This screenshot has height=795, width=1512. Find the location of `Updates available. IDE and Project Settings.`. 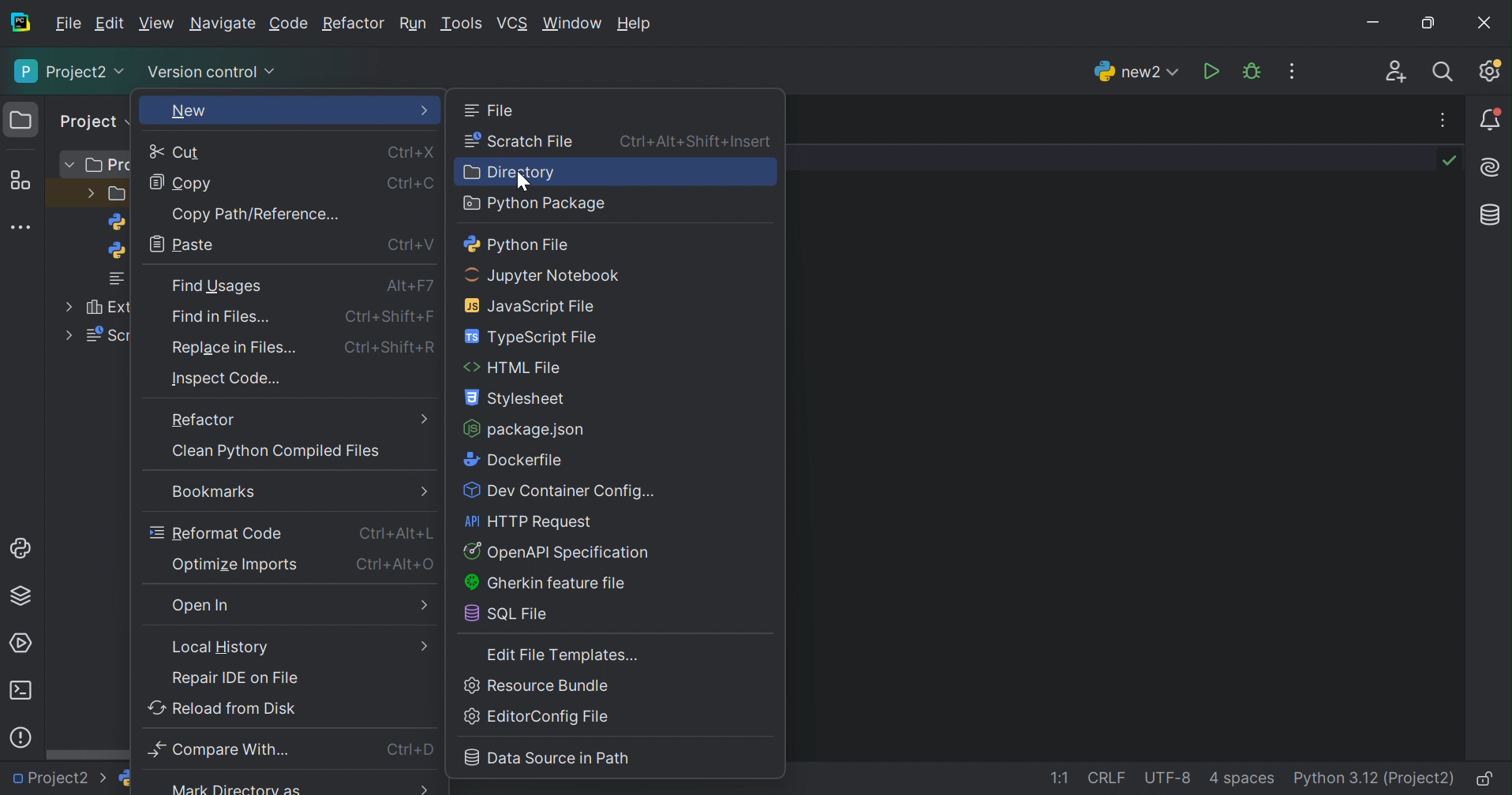

Updates available. IDE and Project Settings. is located at coordinates (1492, 71).